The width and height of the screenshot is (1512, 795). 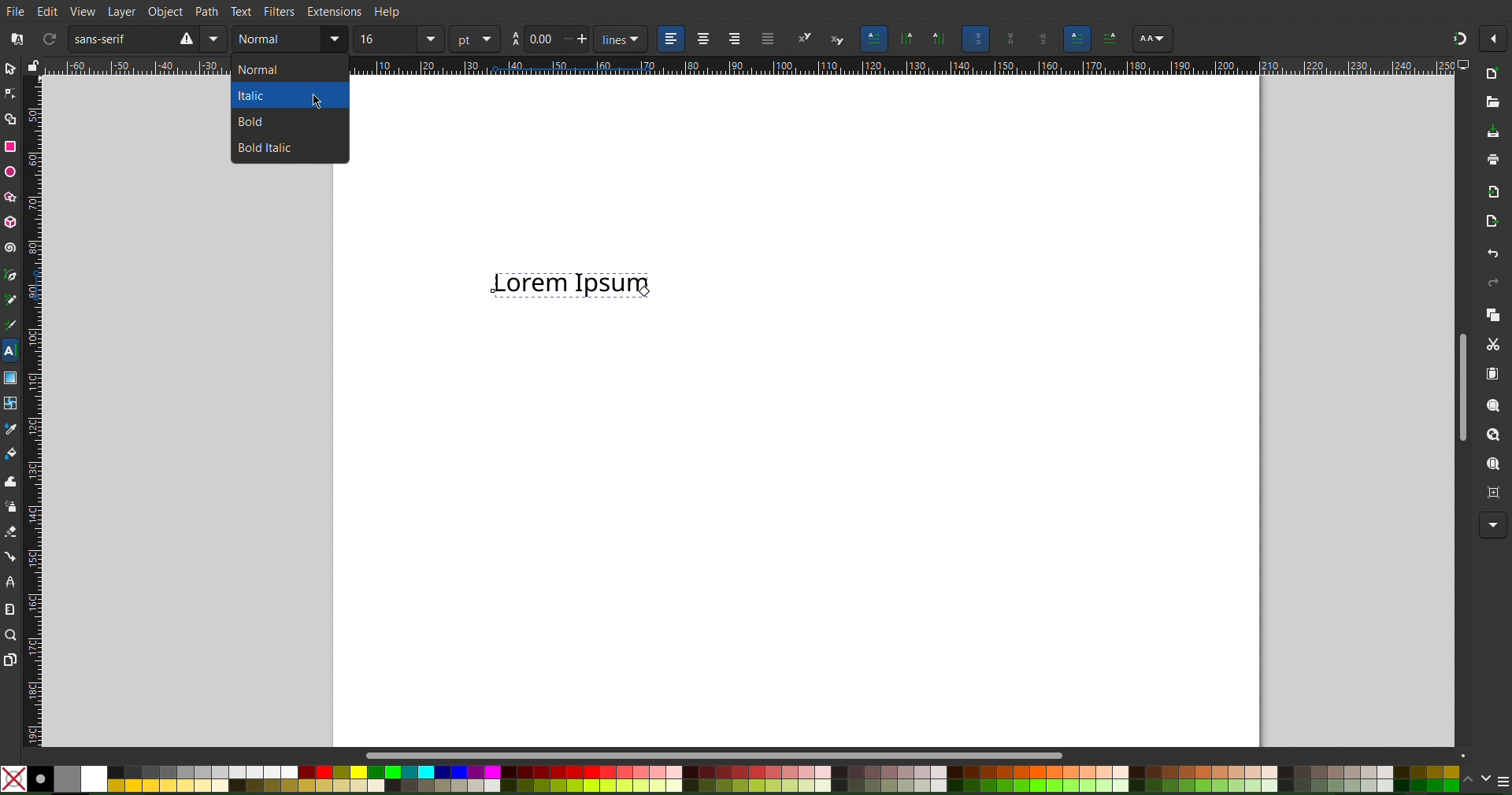 What do you see at coordinates (1492, 286) in the screenshot?
I see `Redo` at bounding box center [1492, 286].